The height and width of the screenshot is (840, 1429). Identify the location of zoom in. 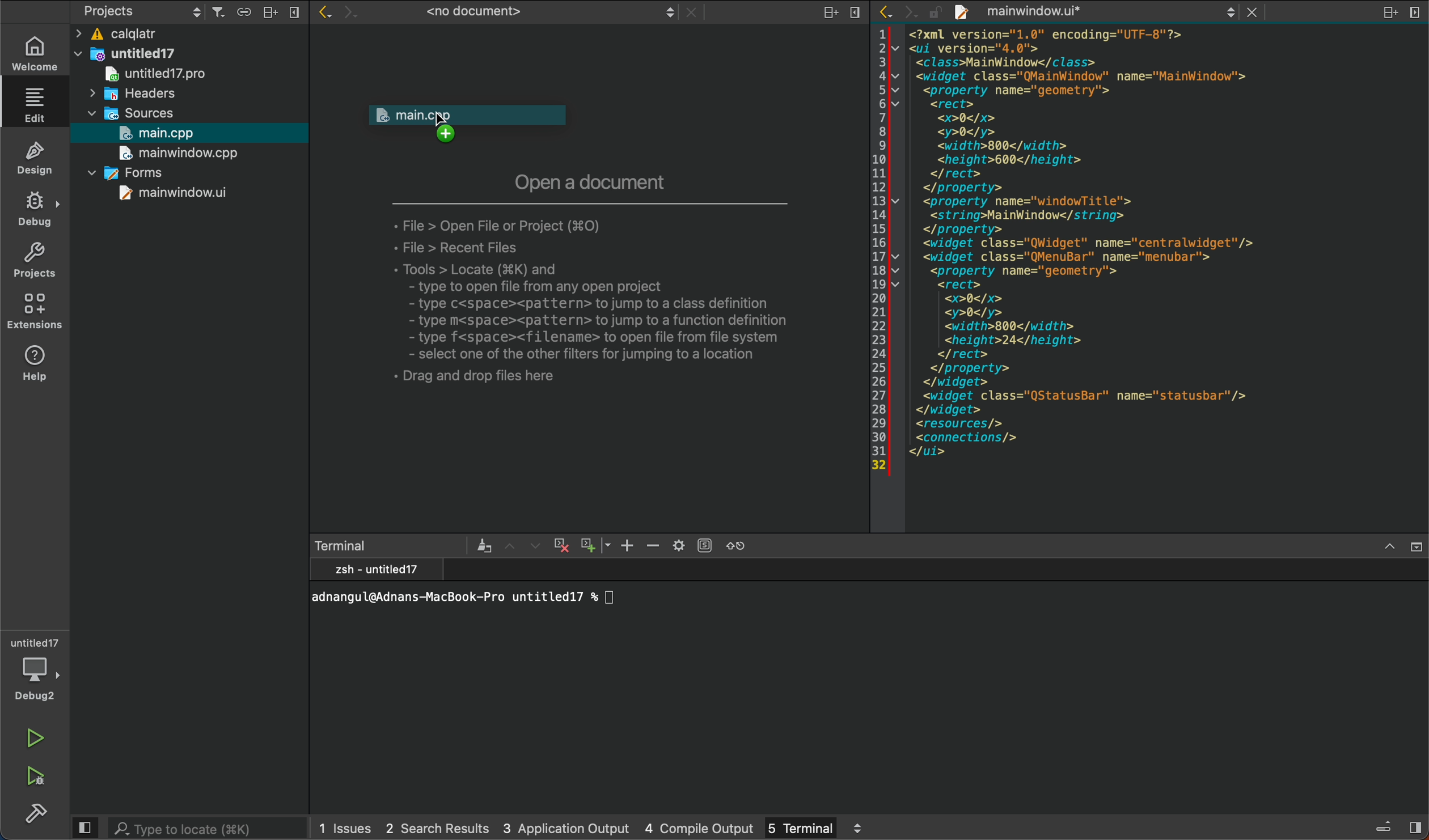
(627, 545).